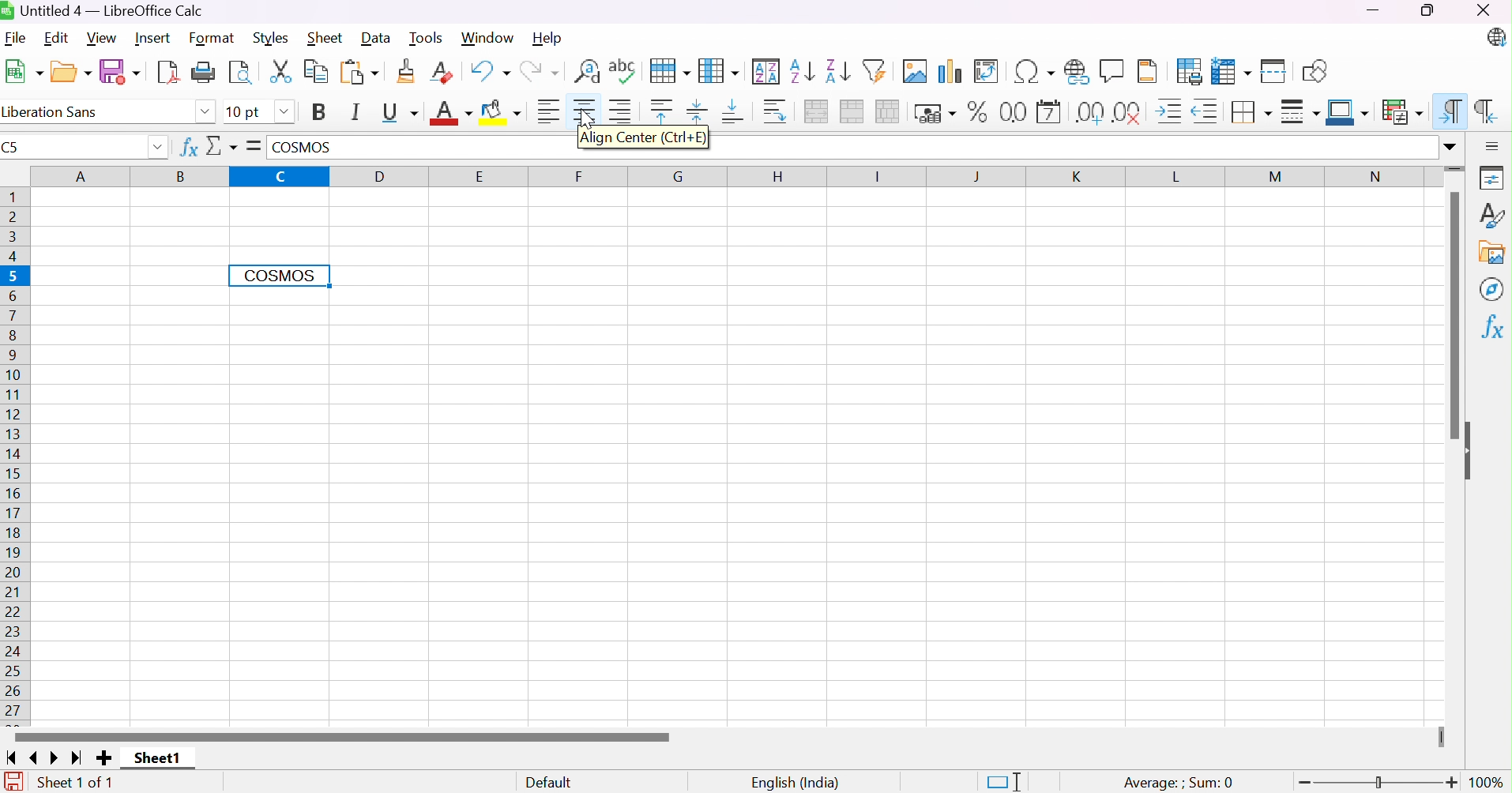 This screenshot has height=793, width=1512. Describe the element at coordinates (890, 113) in the screenshot. I see `Unmerge Cells` at that location.